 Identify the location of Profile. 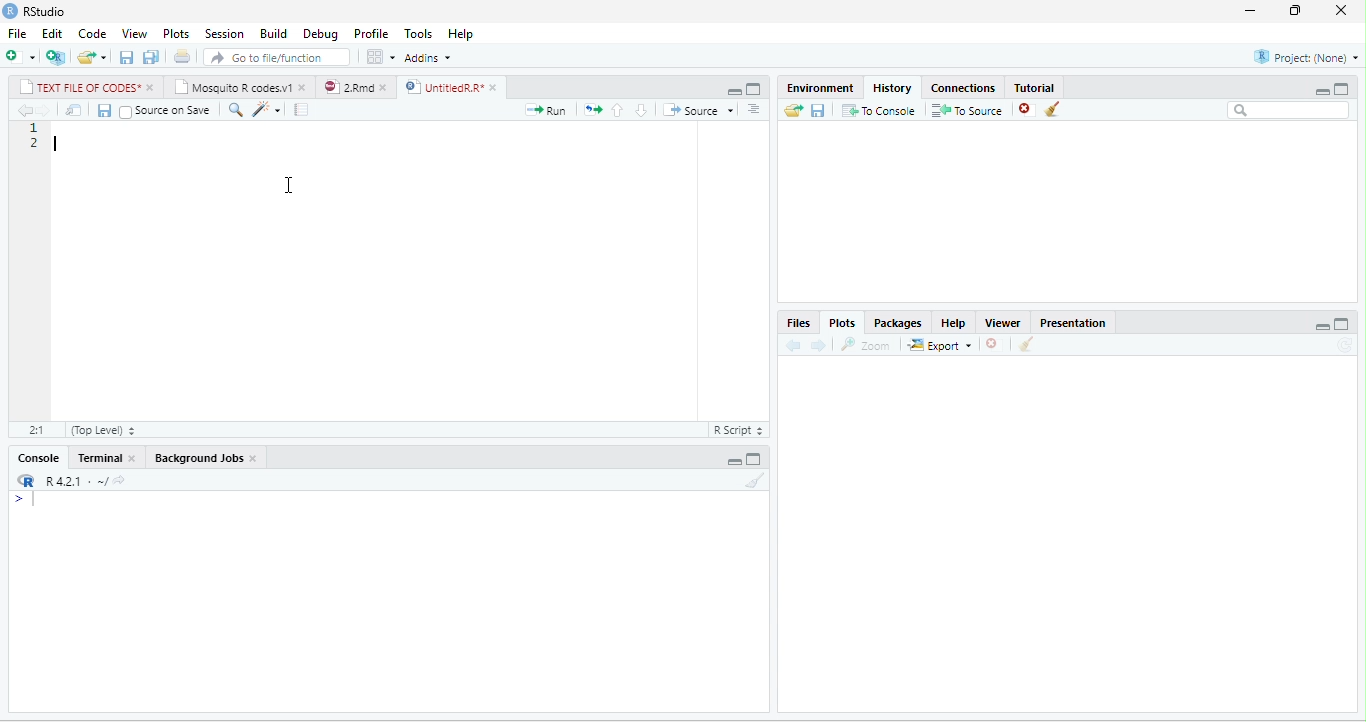
(371, 34).